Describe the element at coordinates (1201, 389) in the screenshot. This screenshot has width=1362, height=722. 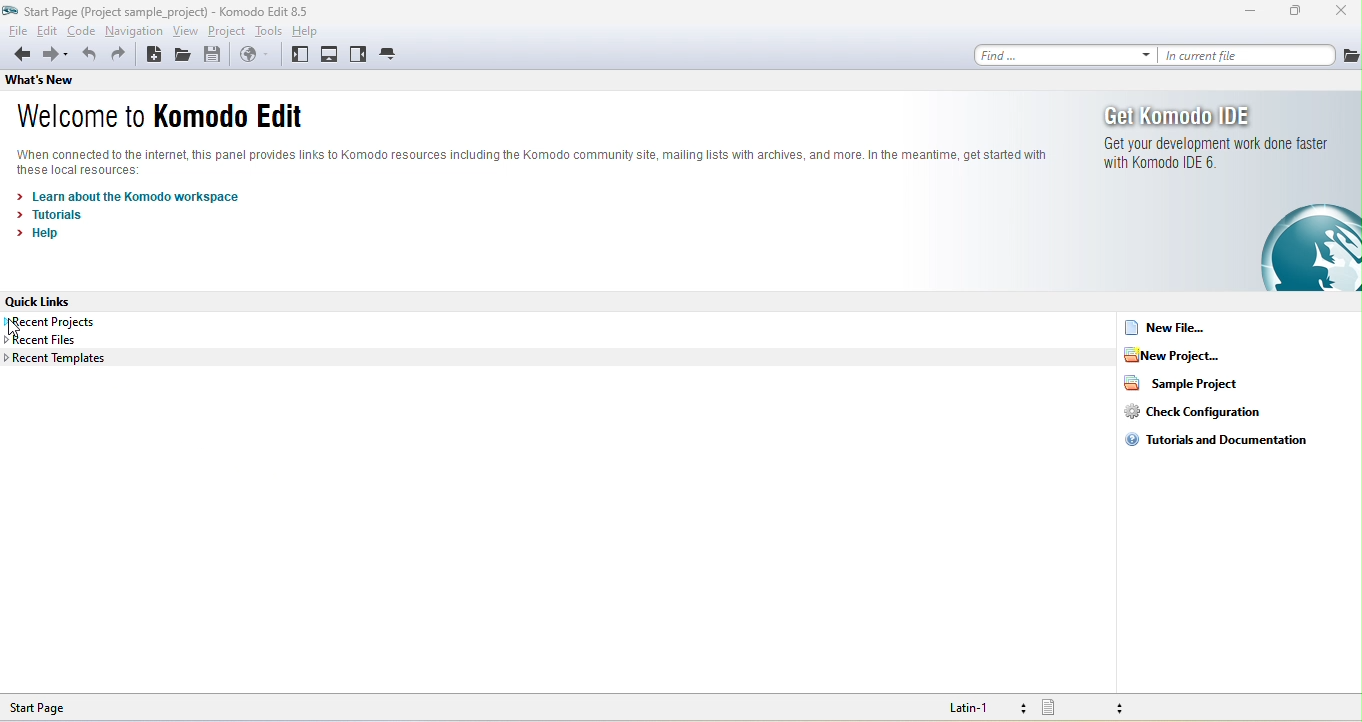
I see `sample project` at that location.